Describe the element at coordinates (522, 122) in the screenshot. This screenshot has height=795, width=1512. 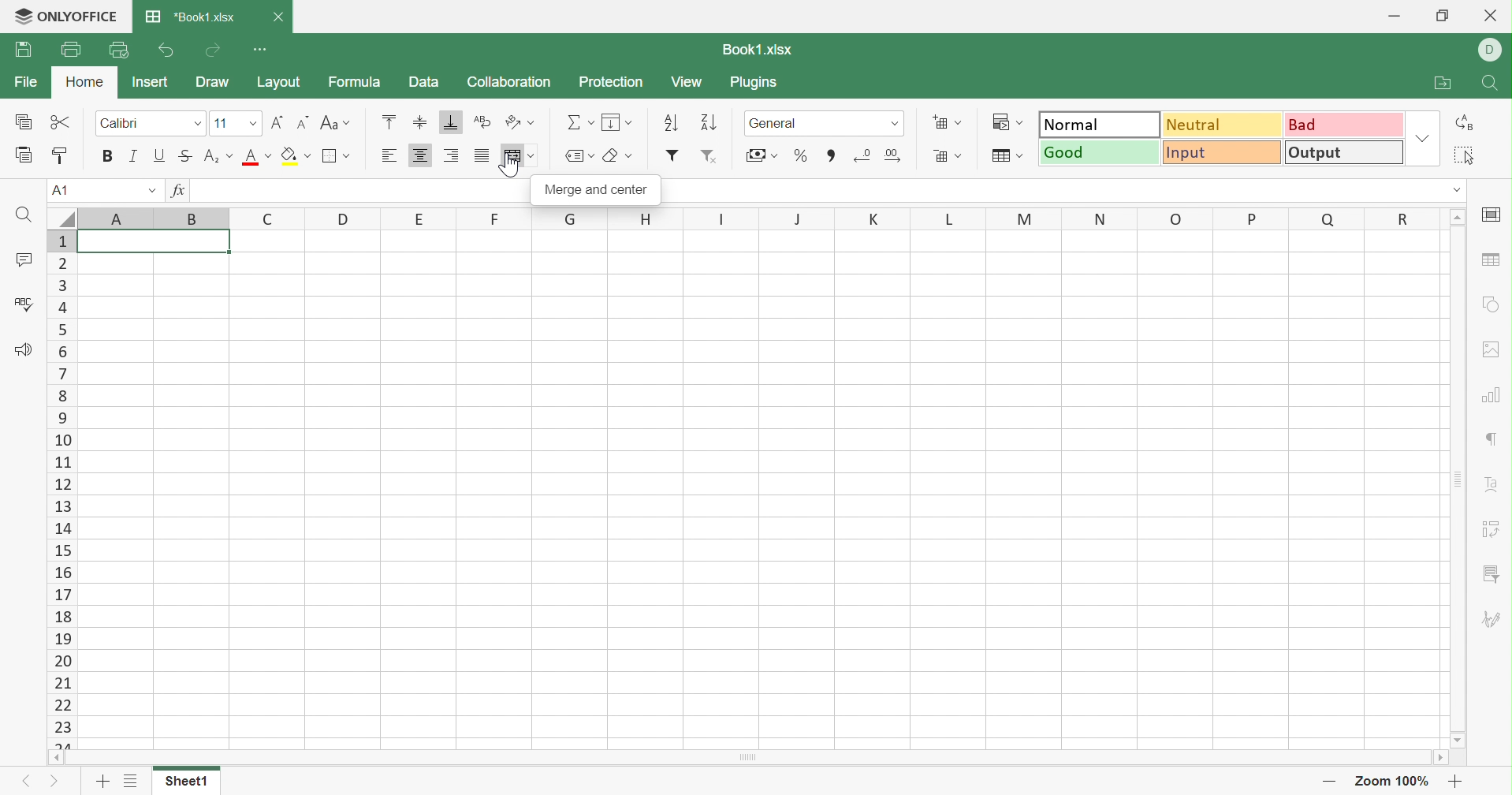
I see `Orientation` at that location.